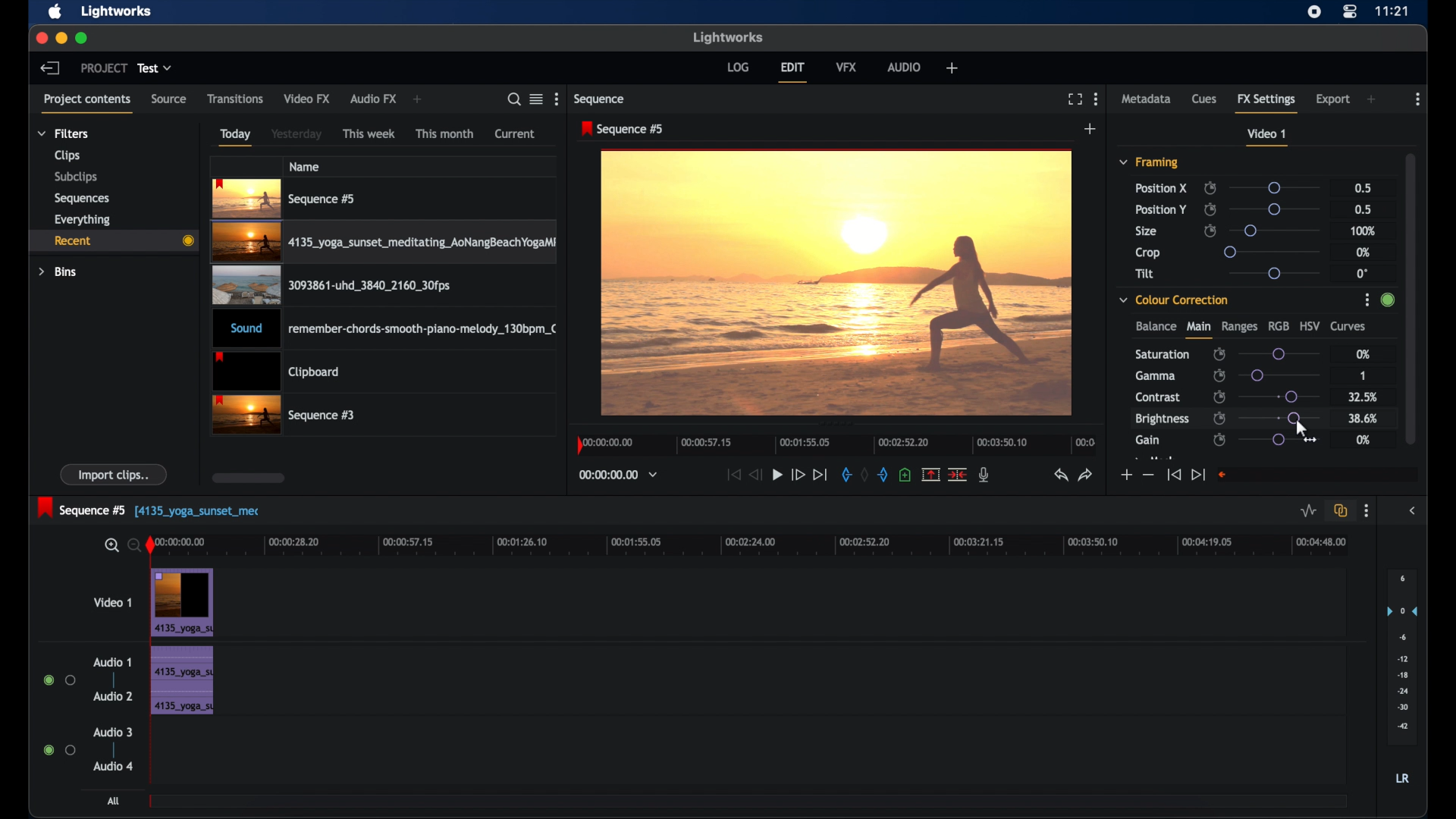 Image resolution: width=1456 pixels, height=819 pixels. Describe the element at coordinates (984, 474) in the screenshot. I see `mic` at that location.